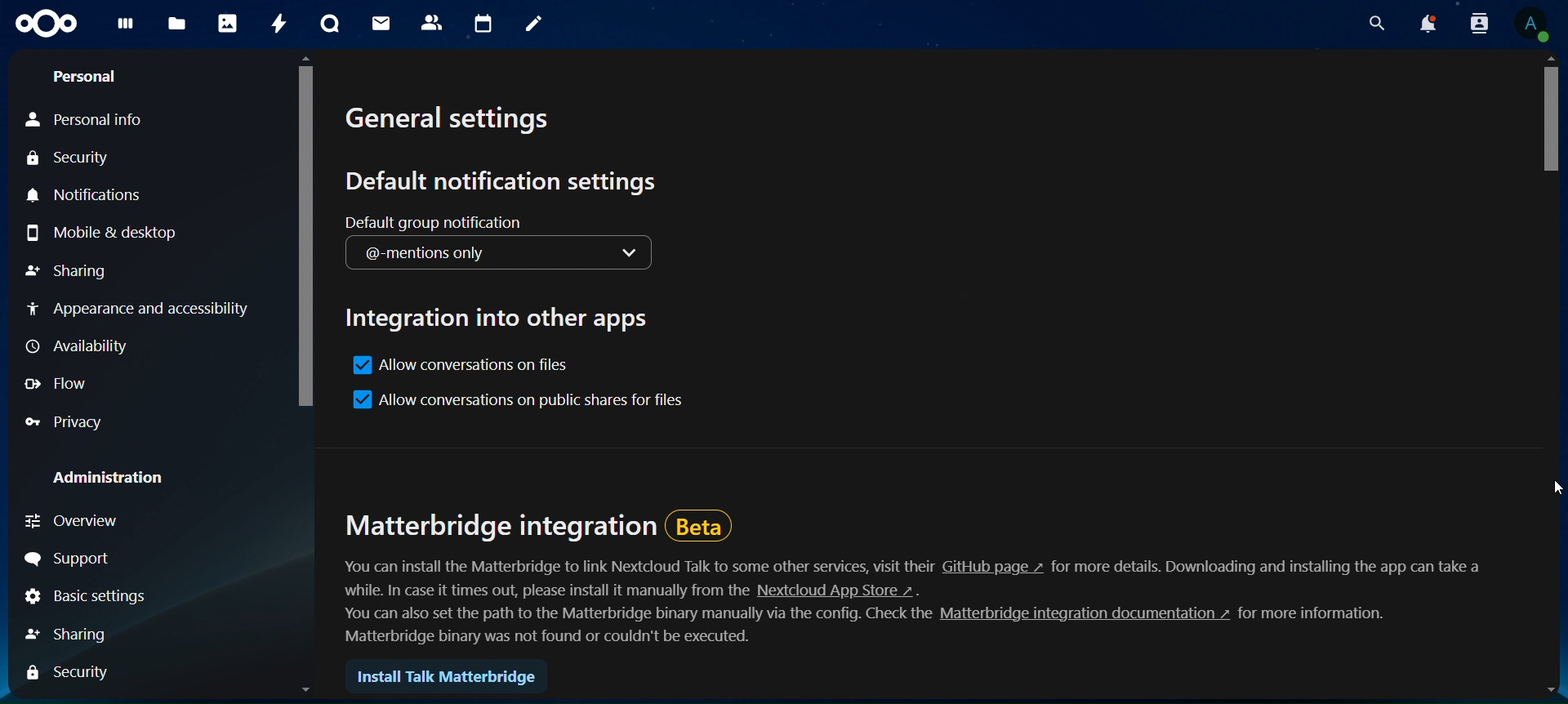 The width and height of the screenshot is (1568, 704). Describe the element at coordinates (993, 567) in the screenshot. I see `hyperlink` at that location.